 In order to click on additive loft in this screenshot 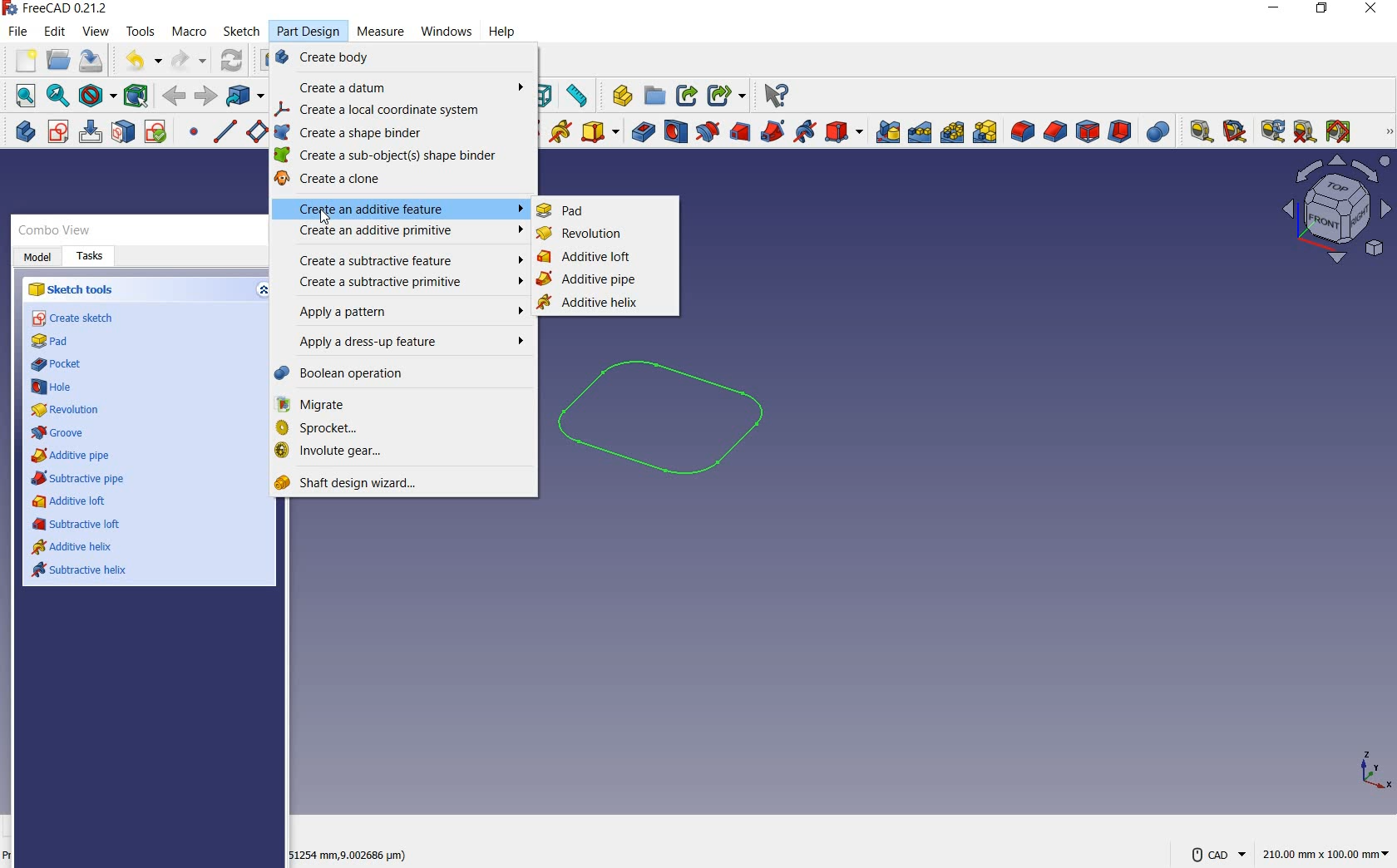, I will do `click(590, 258)`.